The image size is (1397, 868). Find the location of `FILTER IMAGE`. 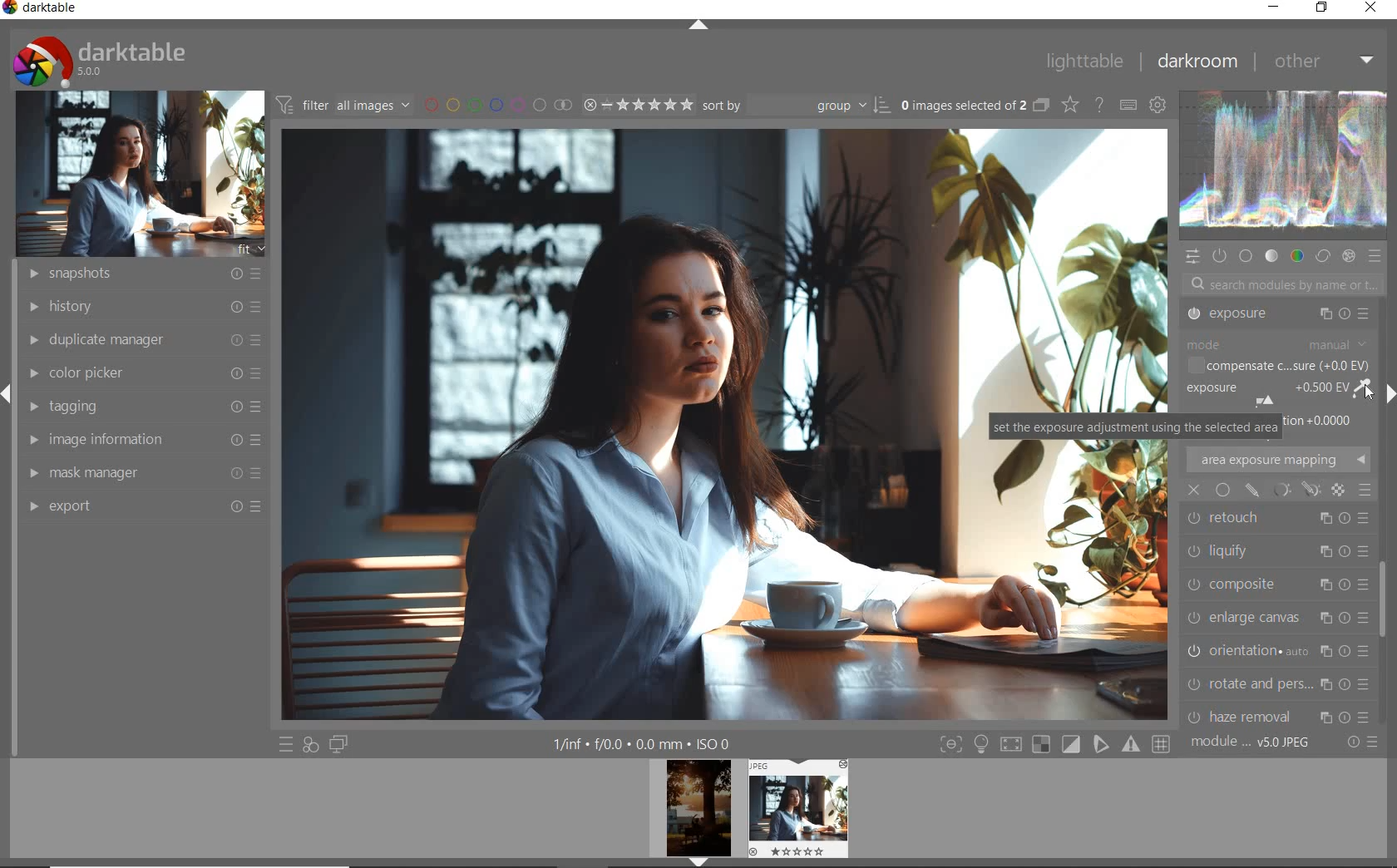

FILTER IMAGE is located at coordinates (339, 105).